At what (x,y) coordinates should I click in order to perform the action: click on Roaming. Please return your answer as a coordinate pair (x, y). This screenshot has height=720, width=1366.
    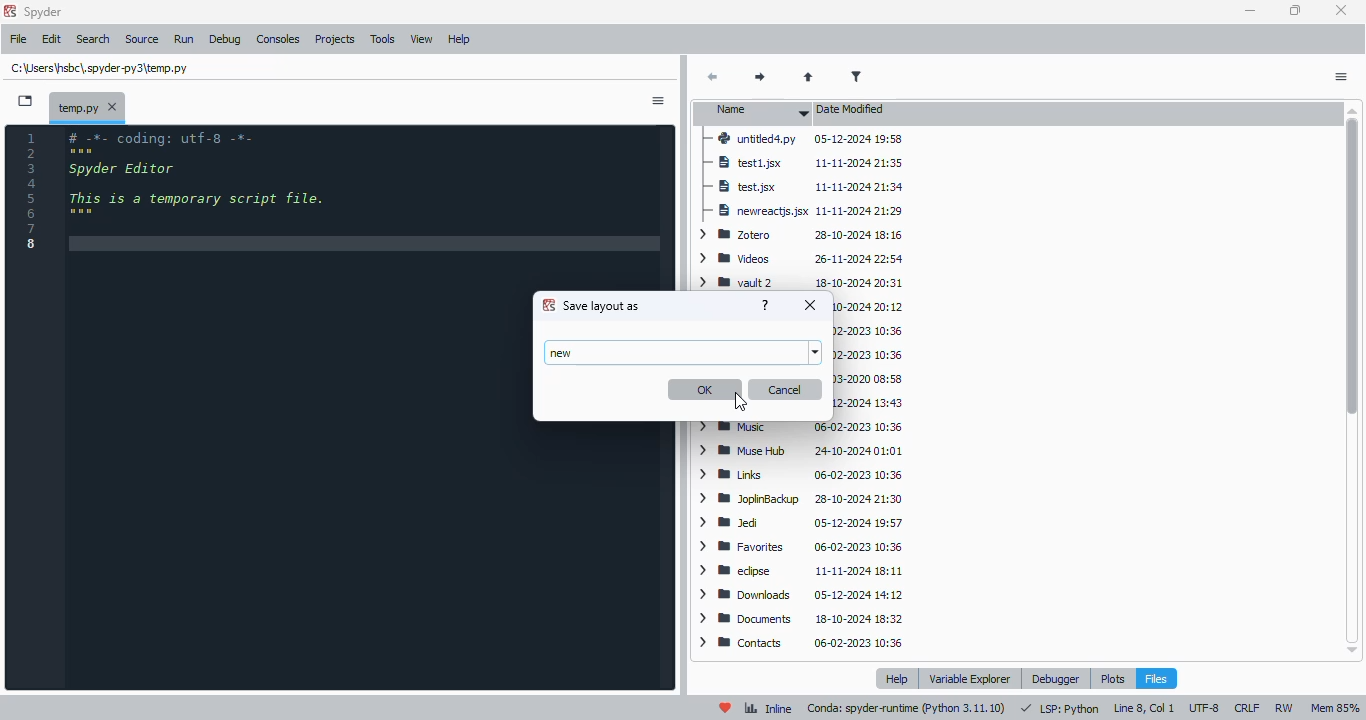
    Looking at the image, I should click on (870, 380).